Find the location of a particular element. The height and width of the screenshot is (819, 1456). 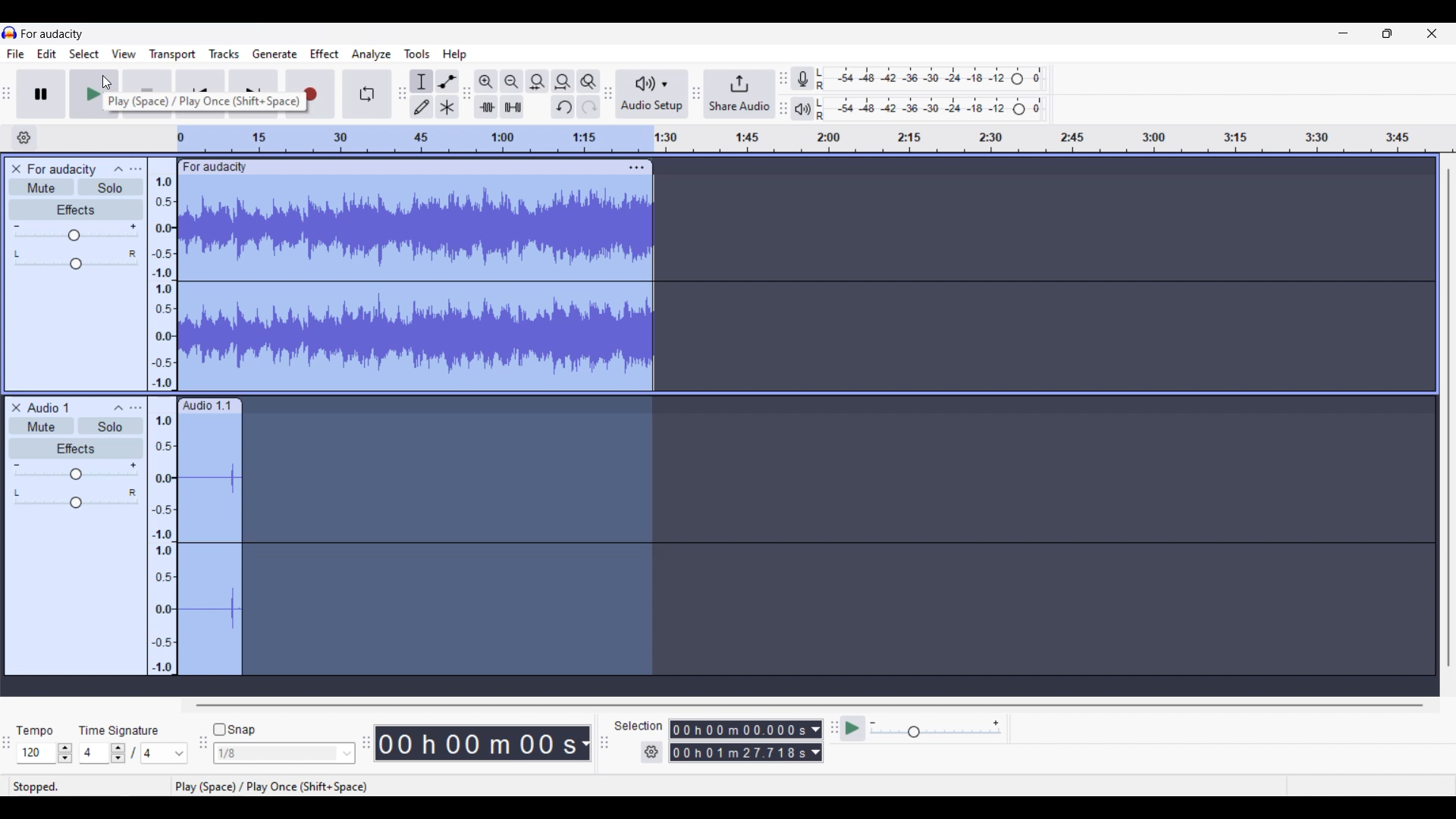

Stop is located at coordinates (148, 94).